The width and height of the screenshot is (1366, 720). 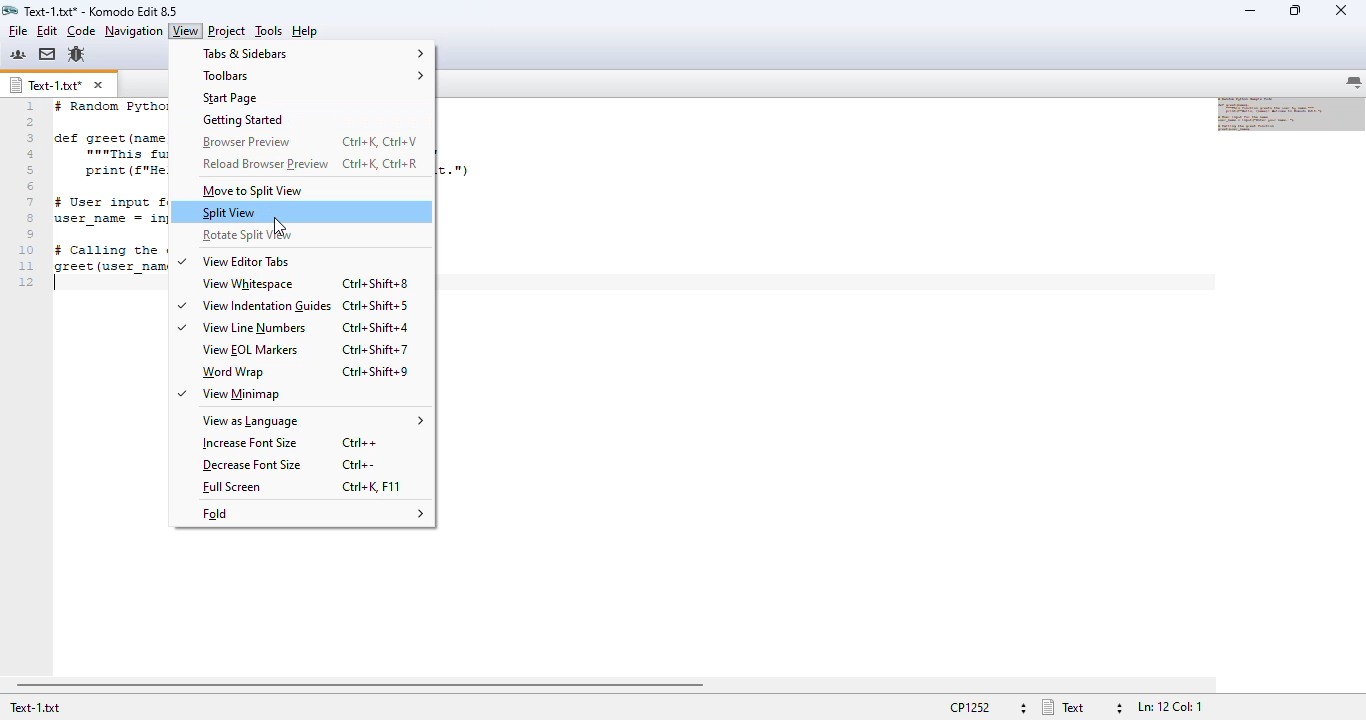 What do you see at coordinates (360, 443) in the screenshot?
I see `shortcut for increase font size` at bounding box center [360, 443].